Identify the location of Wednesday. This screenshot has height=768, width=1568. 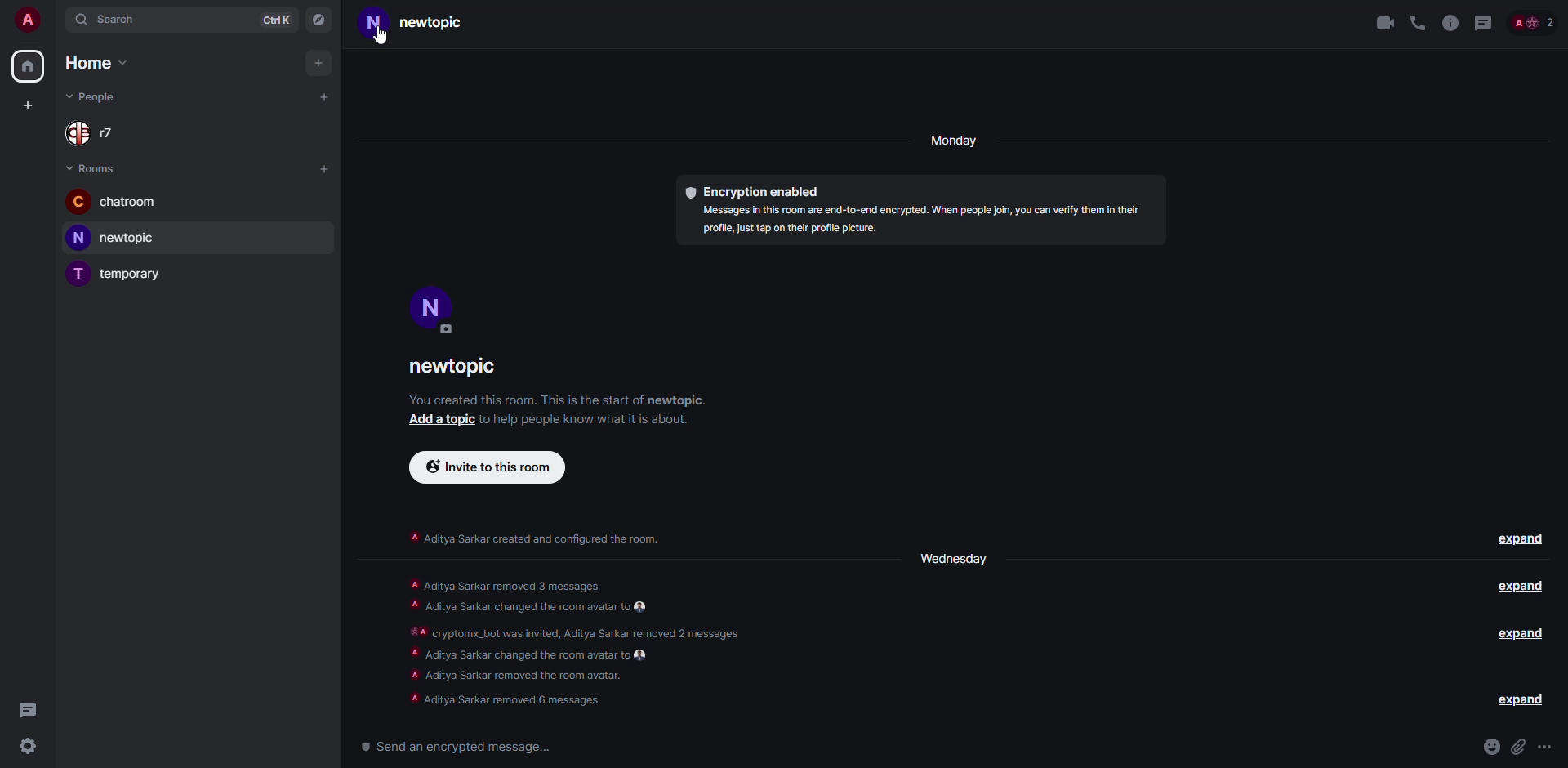
(951, 559).